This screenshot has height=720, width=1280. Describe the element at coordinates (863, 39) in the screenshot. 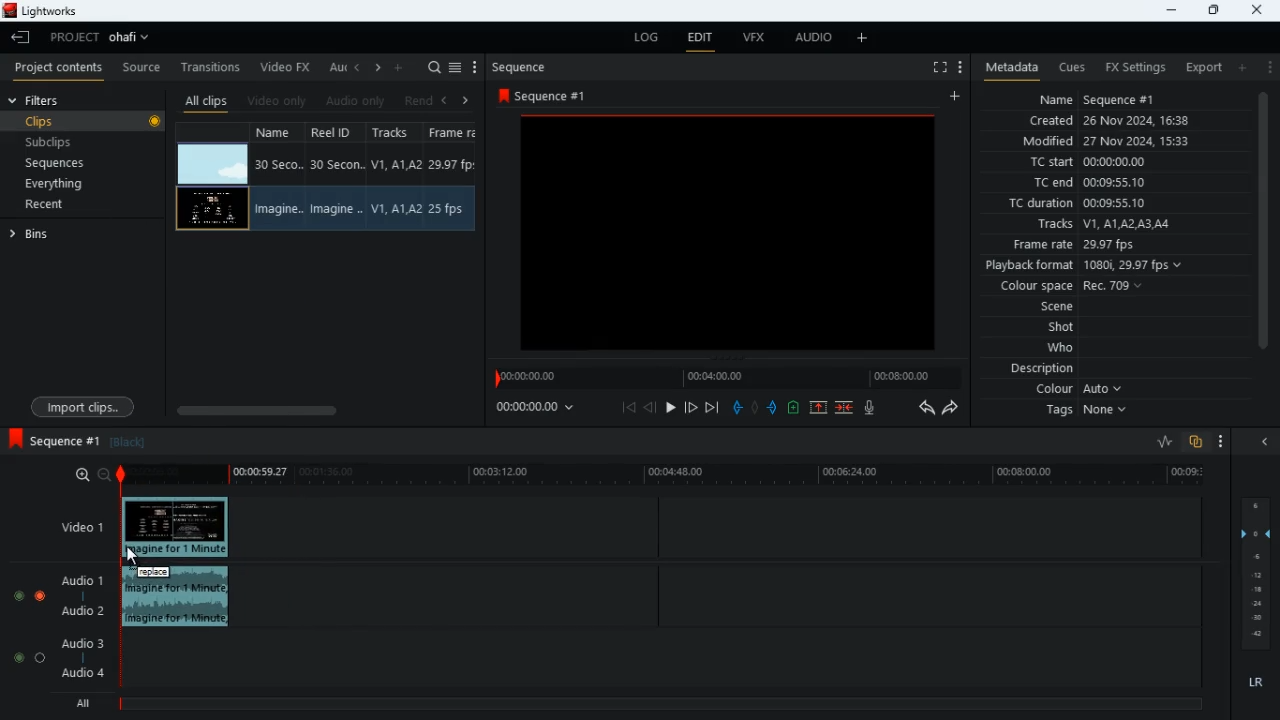

I see `add` at that location.